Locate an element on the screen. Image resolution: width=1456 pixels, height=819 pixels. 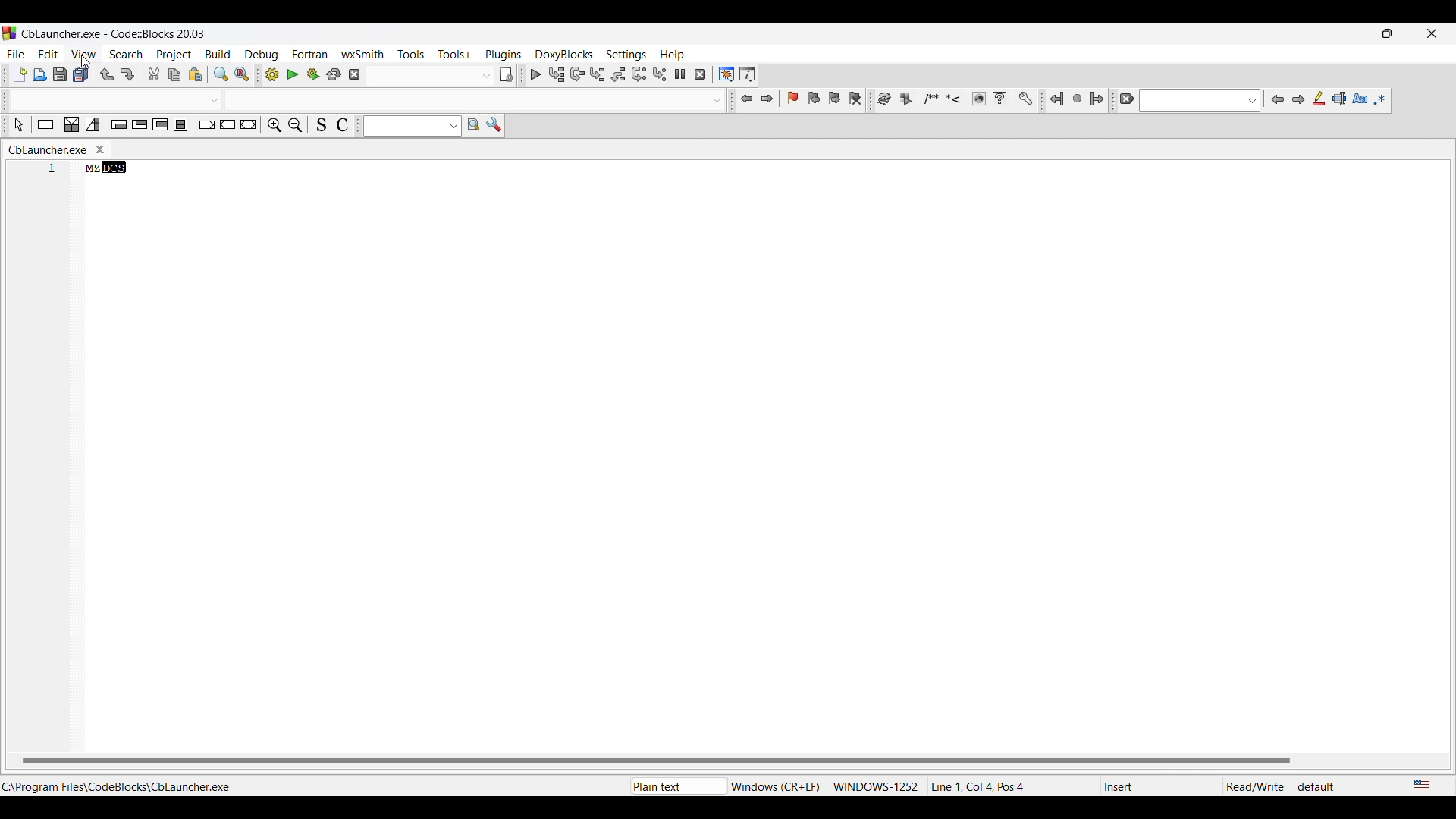
Match case  is located at coordinates (1360, 98).